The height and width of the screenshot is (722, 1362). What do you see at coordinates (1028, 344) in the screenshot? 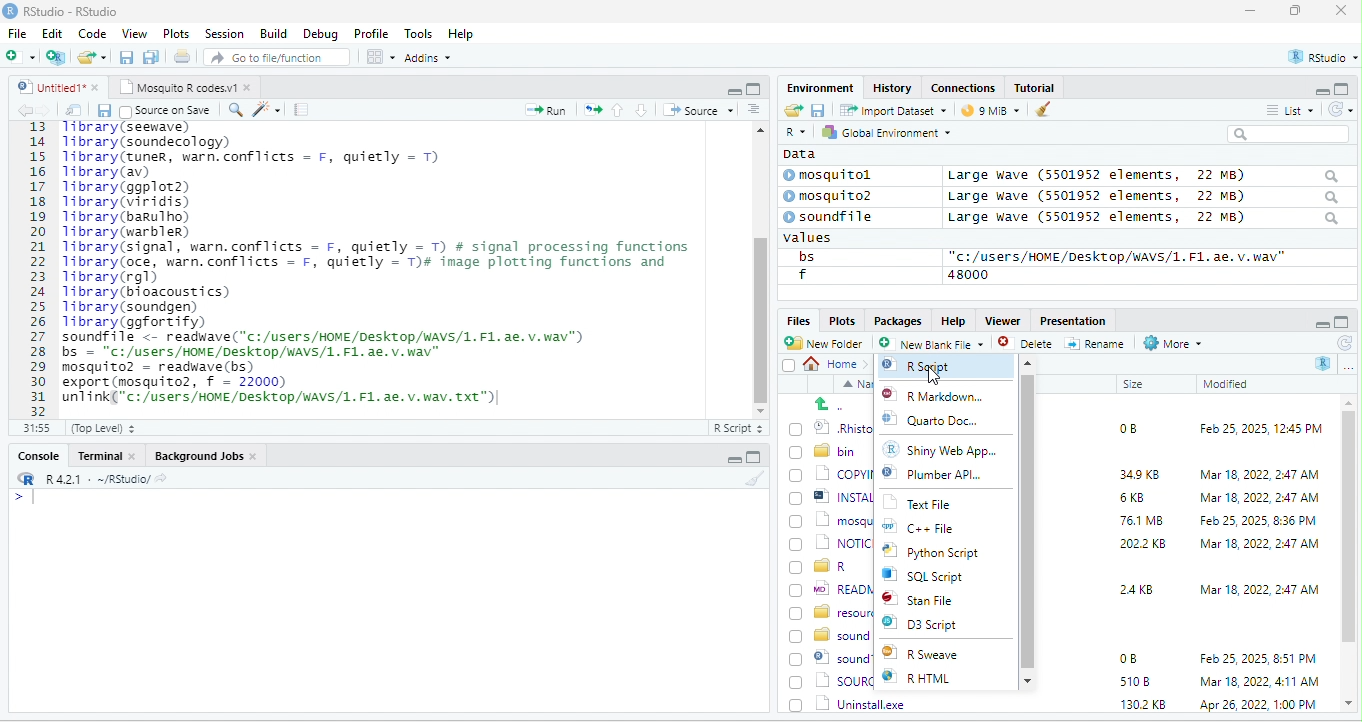
I see `Delete` at bounding box center [1028, 344].